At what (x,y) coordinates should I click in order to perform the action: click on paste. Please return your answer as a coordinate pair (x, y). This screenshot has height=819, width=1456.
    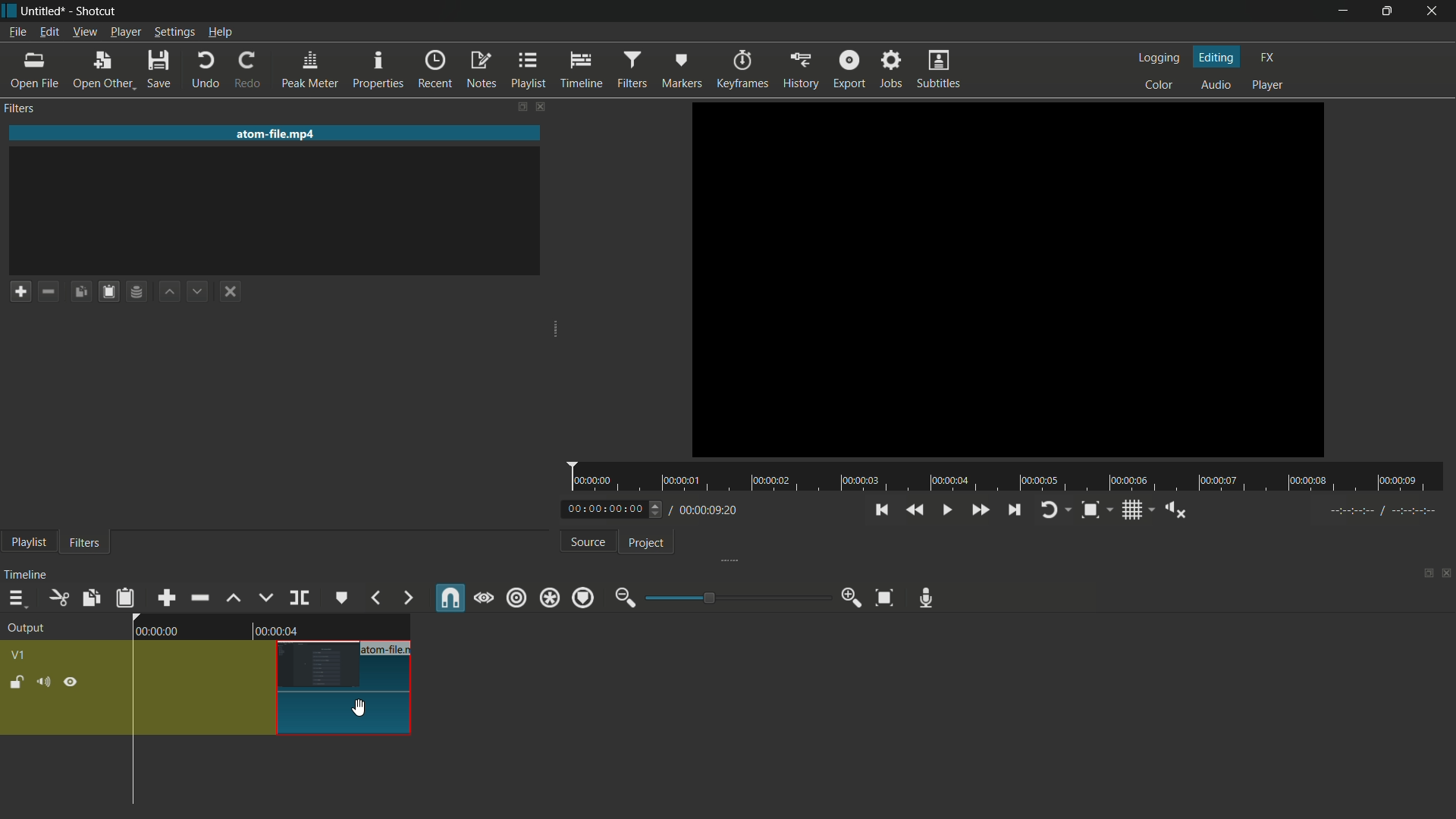
    Looking at the image, I should click on (125, 598).